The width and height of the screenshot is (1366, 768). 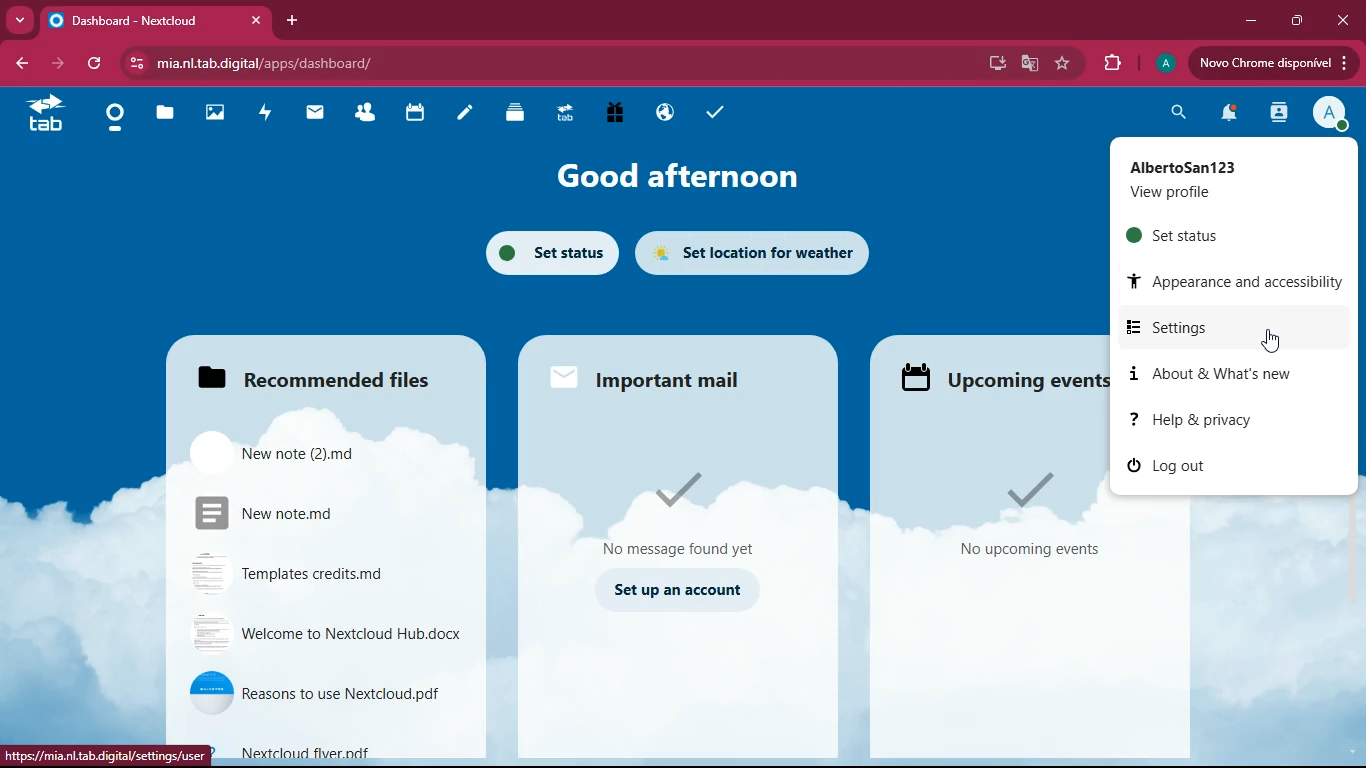 What do you see at coordinates (323, 373) in the screenshot?
I see `recommended files` at bounding box center [323, 373].